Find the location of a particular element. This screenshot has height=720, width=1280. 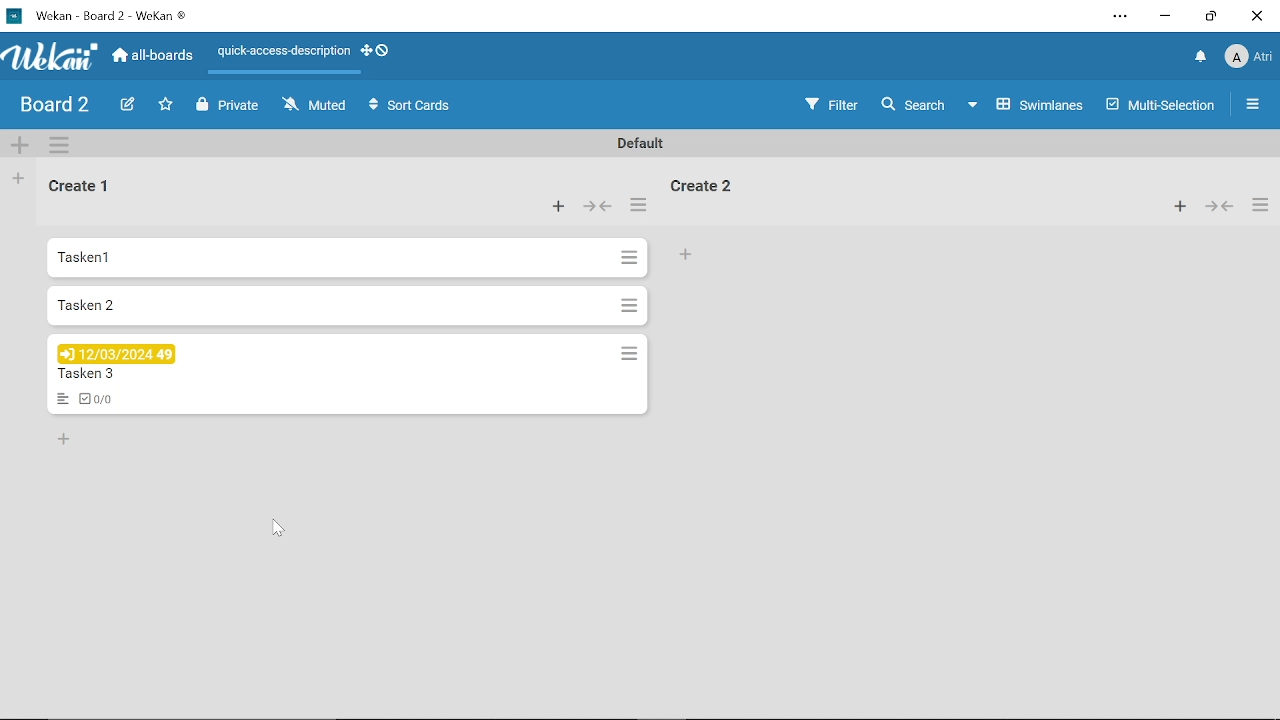

all-boards is located at coordinates (151, 55).